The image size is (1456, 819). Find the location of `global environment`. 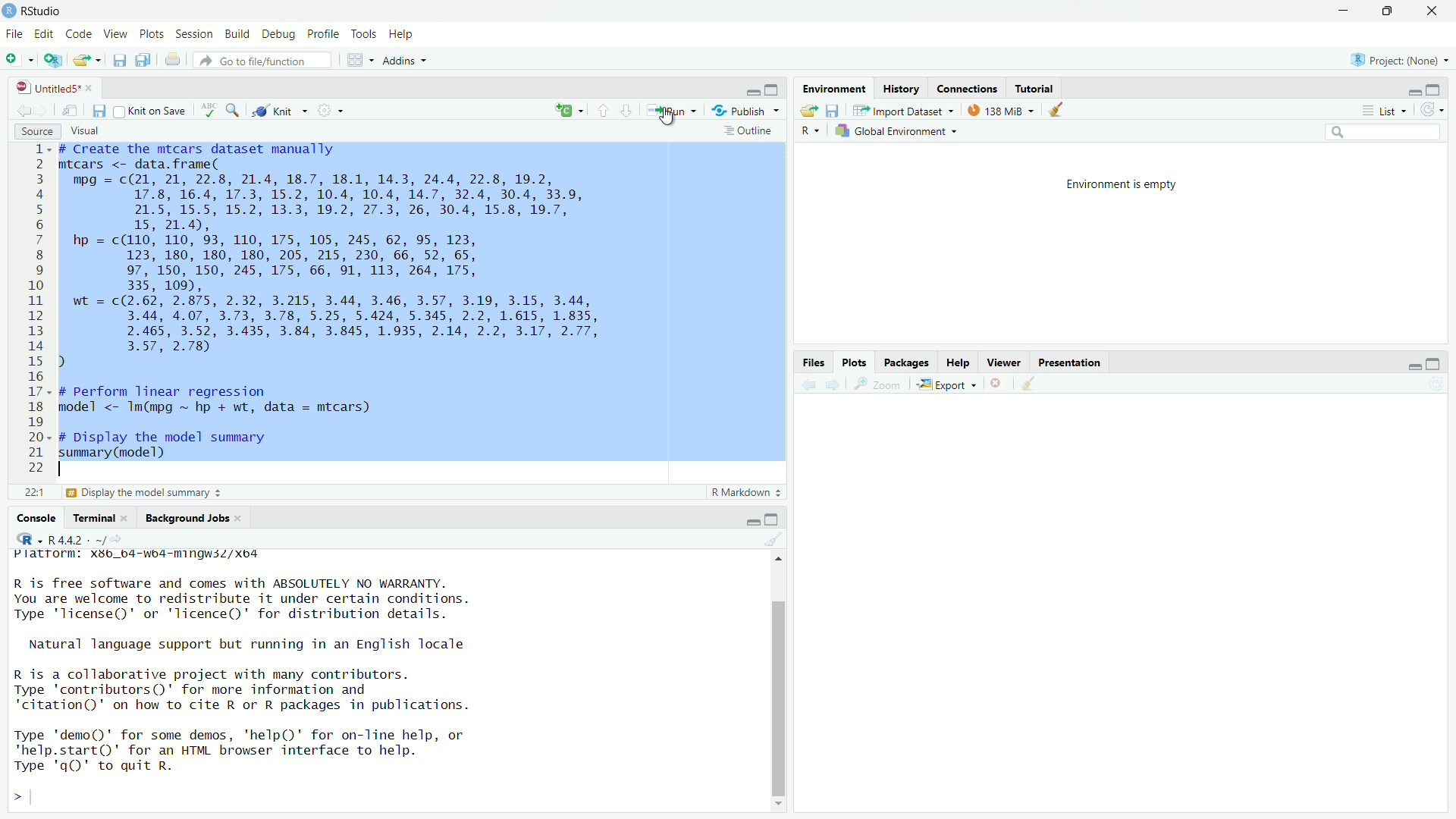

global environment is located at coordinates (895, 131).